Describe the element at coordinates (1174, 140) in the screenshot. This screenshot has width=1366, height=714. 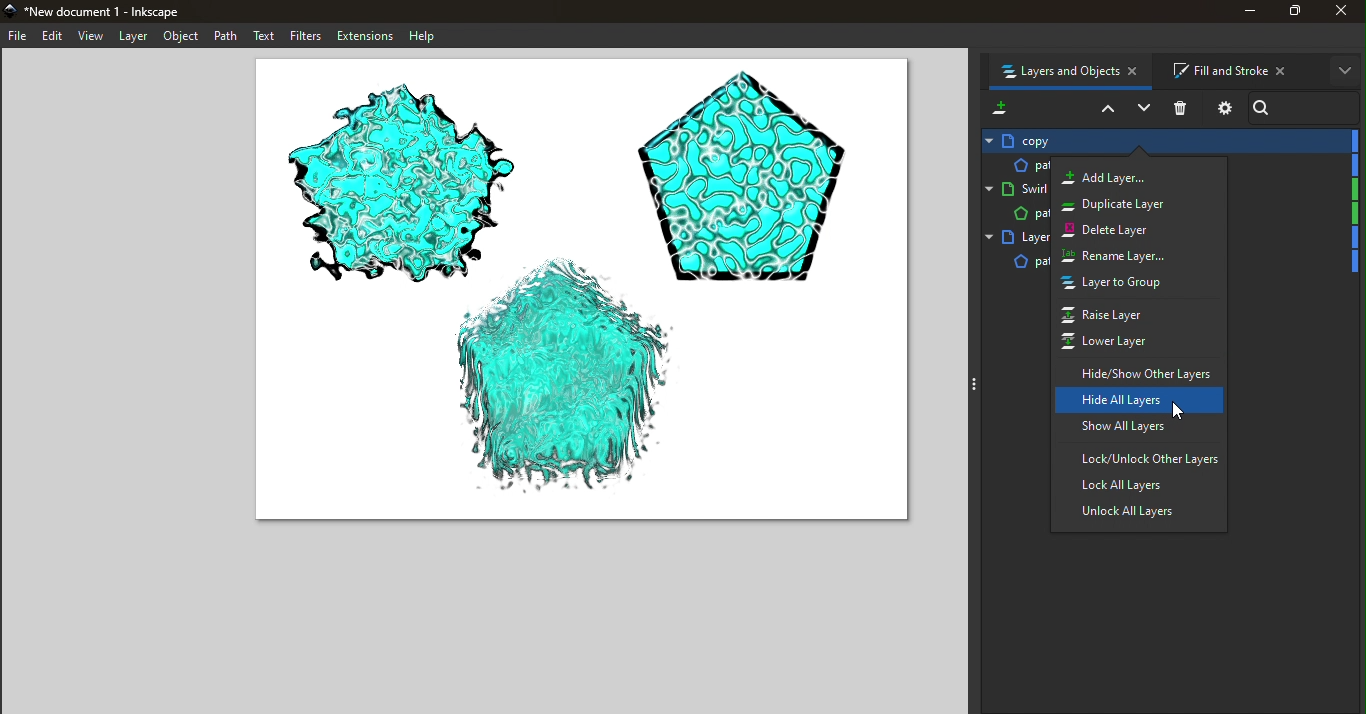
I see `Layer` at that location.